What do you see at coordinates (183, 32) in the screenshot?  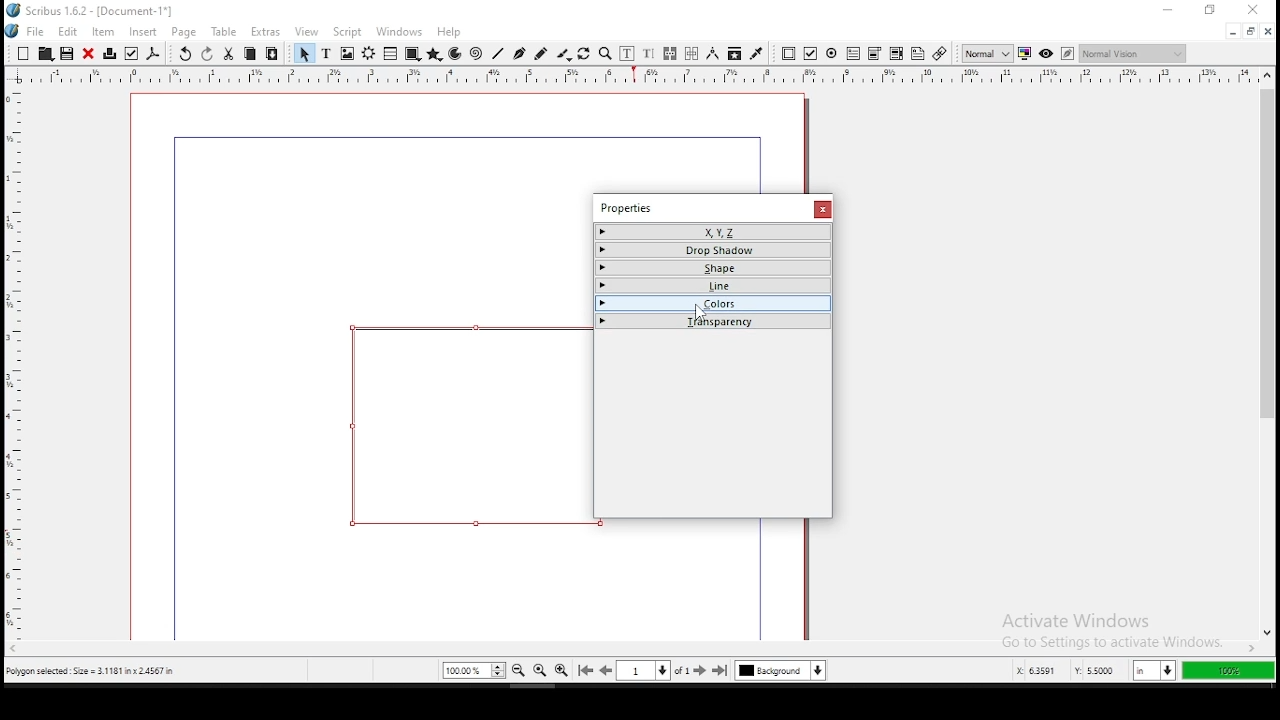 I see `page` at bounding box center [183, 32].